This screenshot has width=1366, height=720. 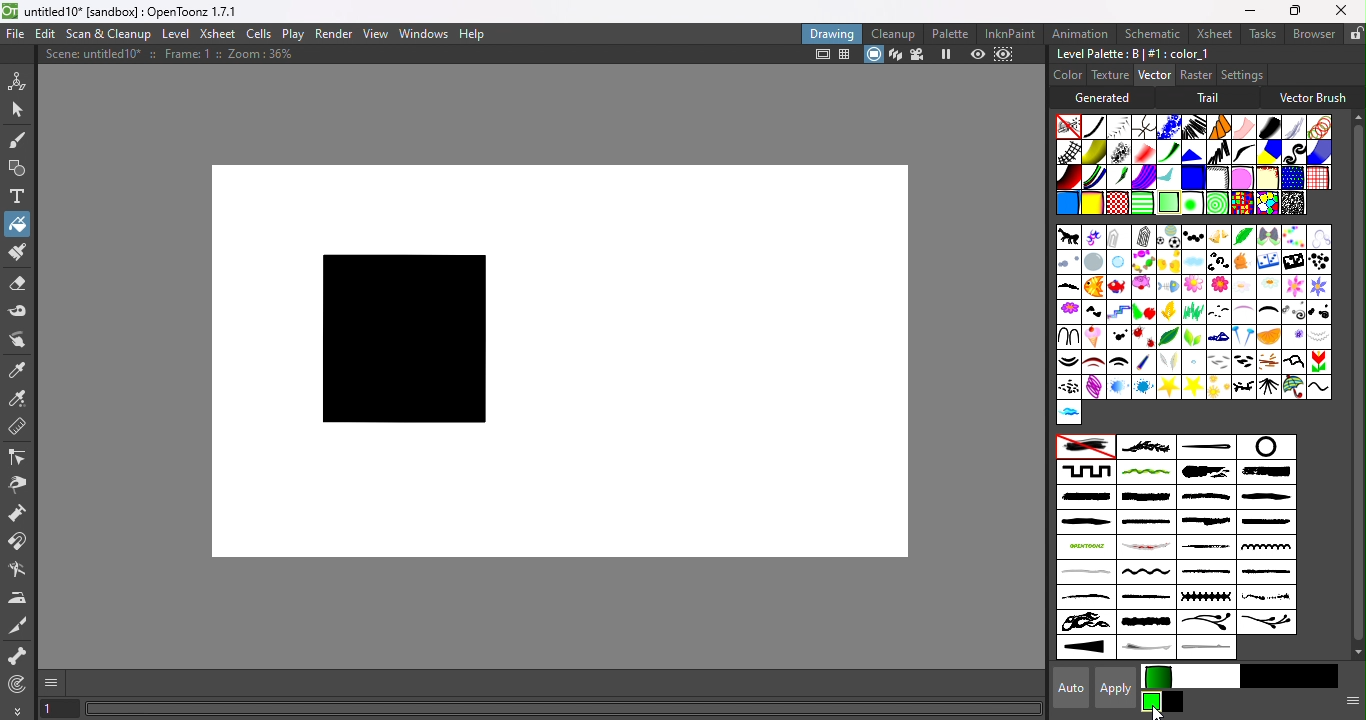 I want to click on hedge, so click(x=1267, y=314).